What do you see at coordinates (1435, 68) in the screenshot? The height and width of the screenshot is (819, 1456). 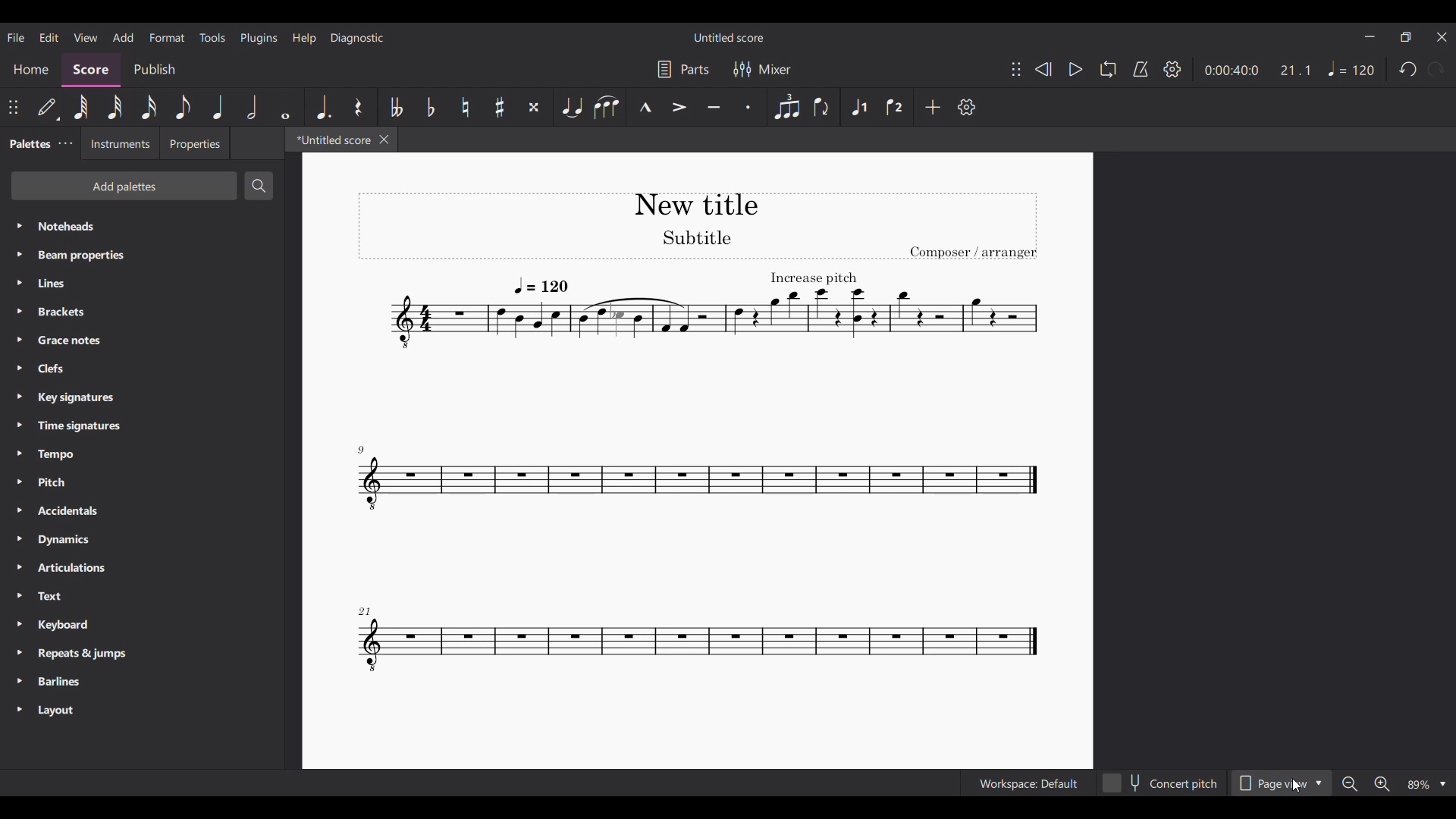 I see `Redo` at bounding box center [1435, 68].